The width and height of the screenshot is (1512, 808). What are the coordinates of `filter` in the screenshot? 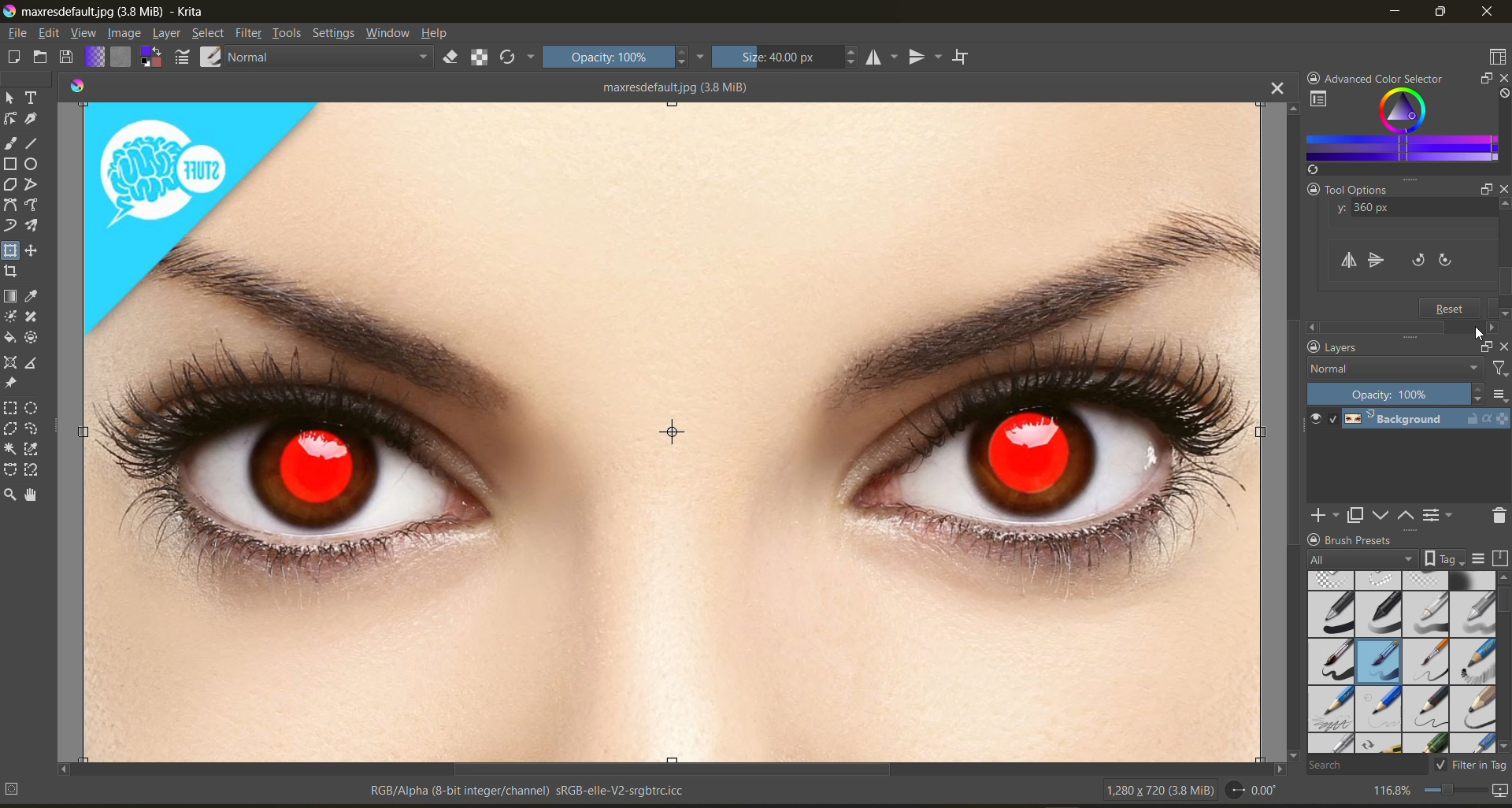 It's located at (1498, 369).